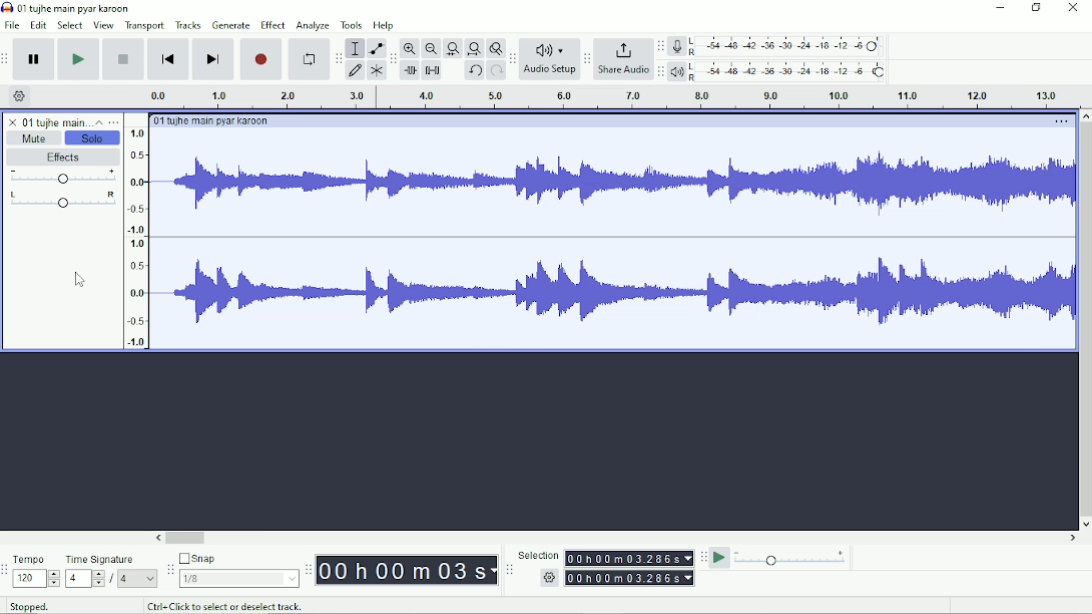 The image size is (1092, 614). Describe the element at coordinates (629, 555) in the screenshot. I see `Selection` at that location.